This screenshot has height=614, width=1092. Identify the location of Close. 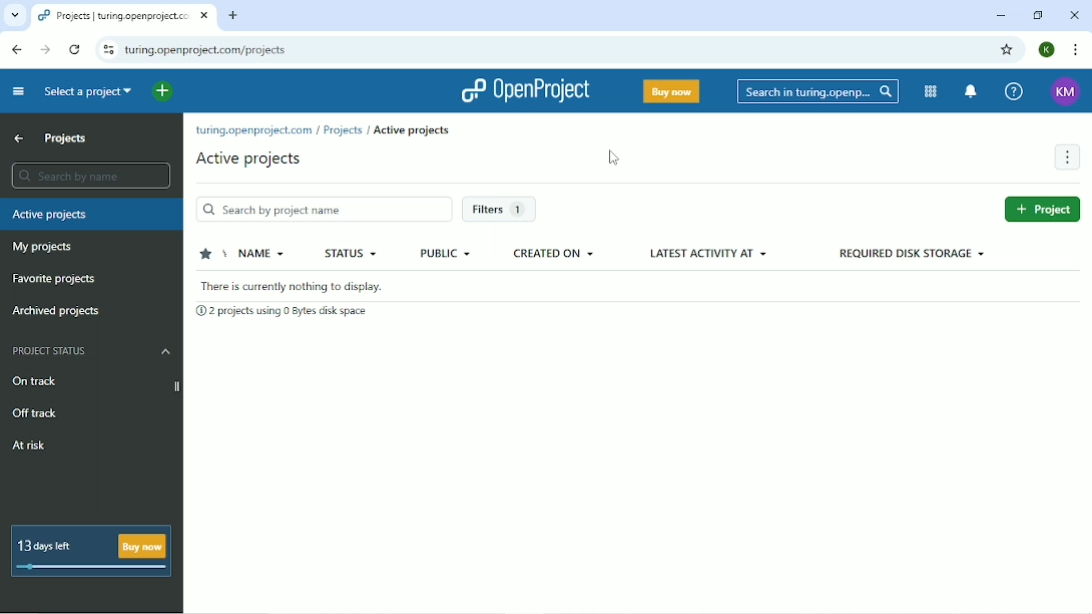
(1074, 15).